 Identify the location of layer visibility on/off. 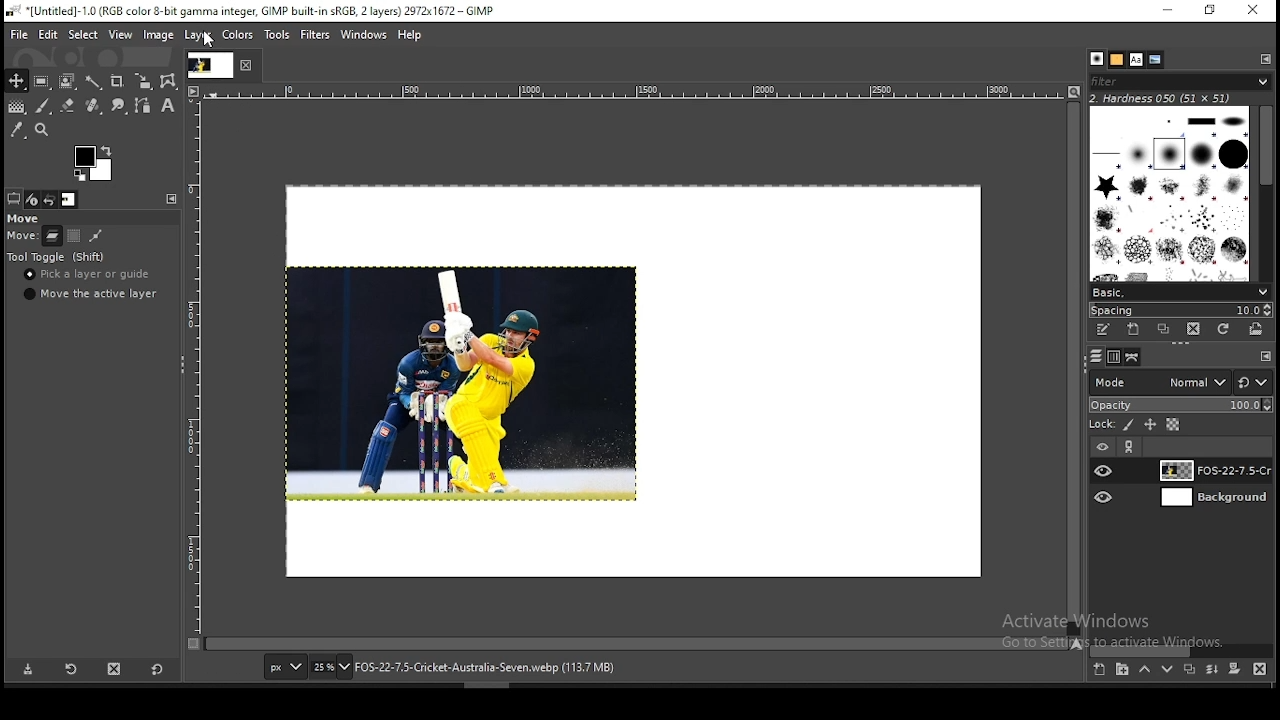
(1104, 470).